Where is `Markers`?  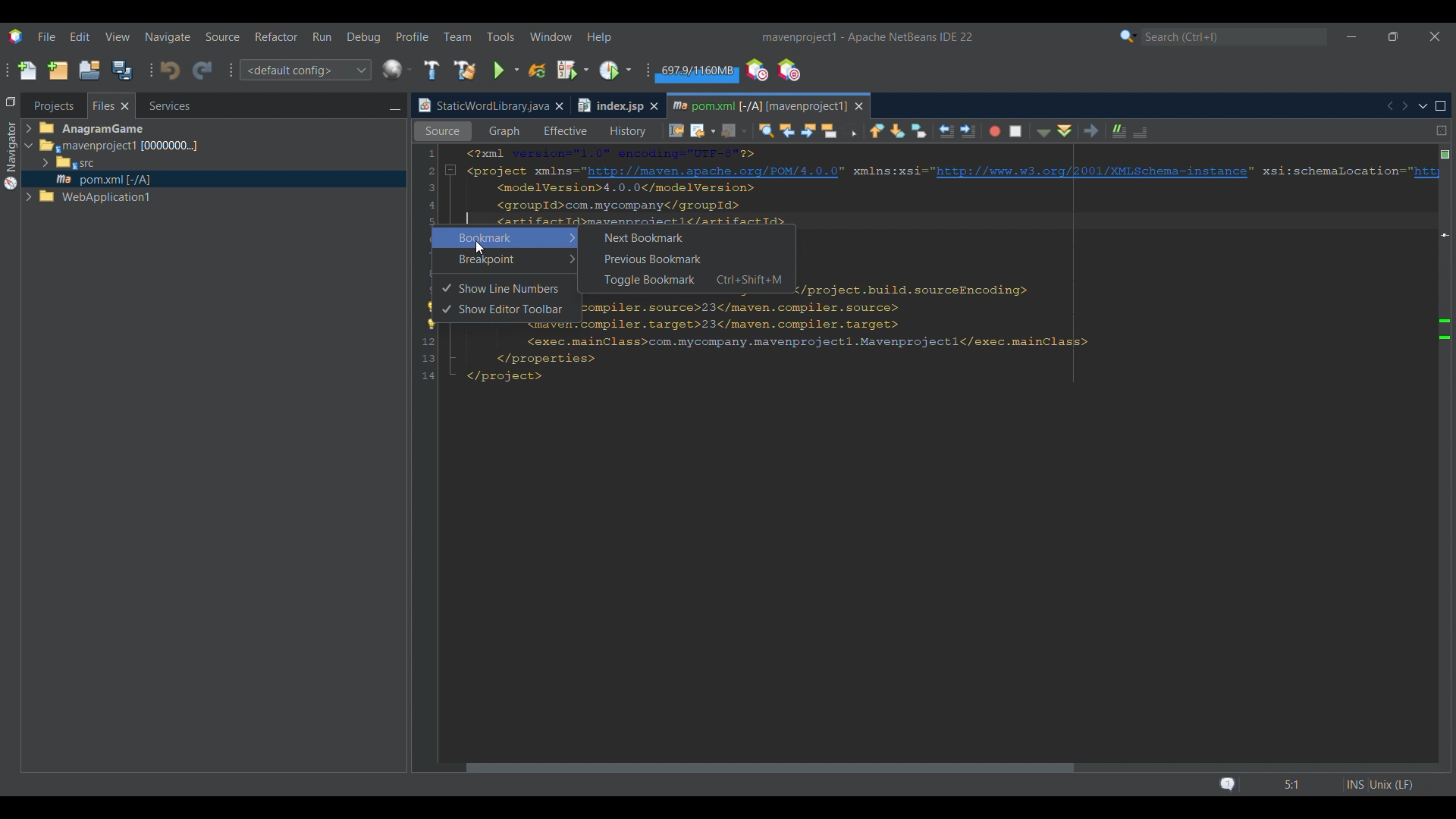 Markers is located at coordinates (1444, 666).